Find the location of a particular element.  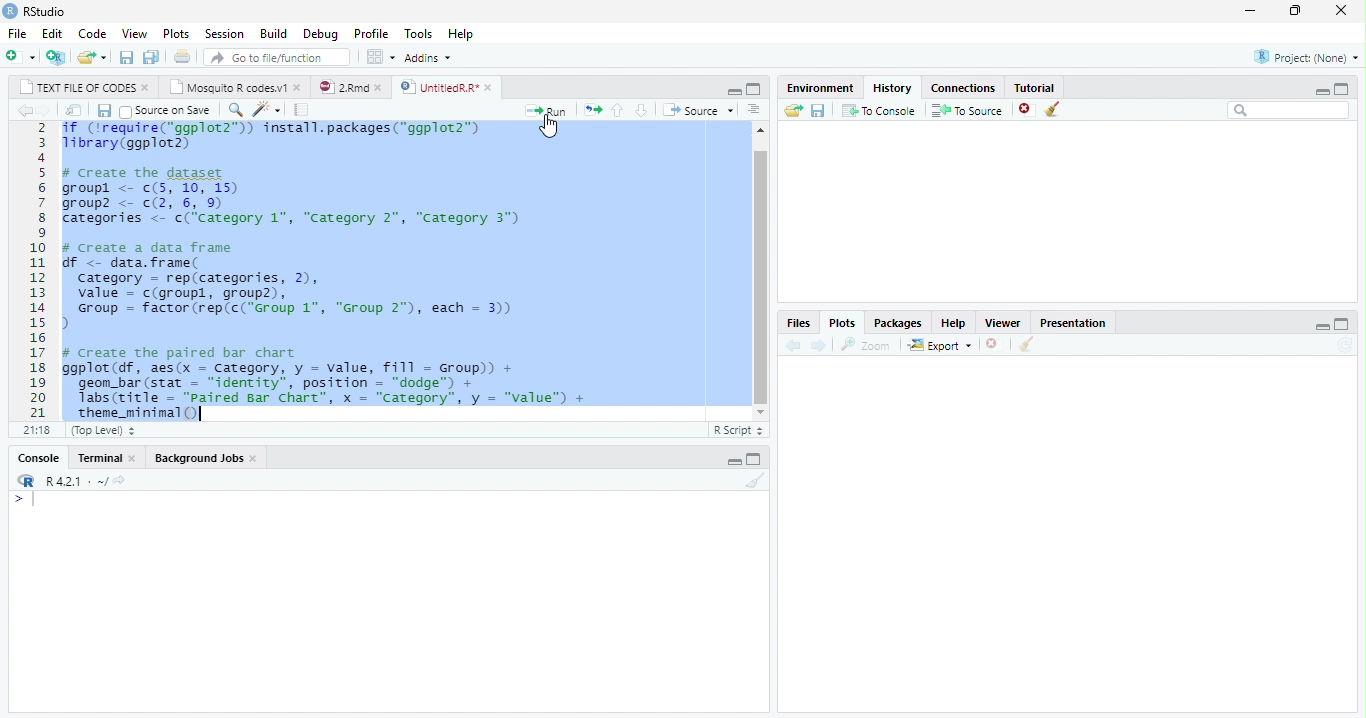

 to source : insert the selected command into the current document  is located at coordinates (964, 110).